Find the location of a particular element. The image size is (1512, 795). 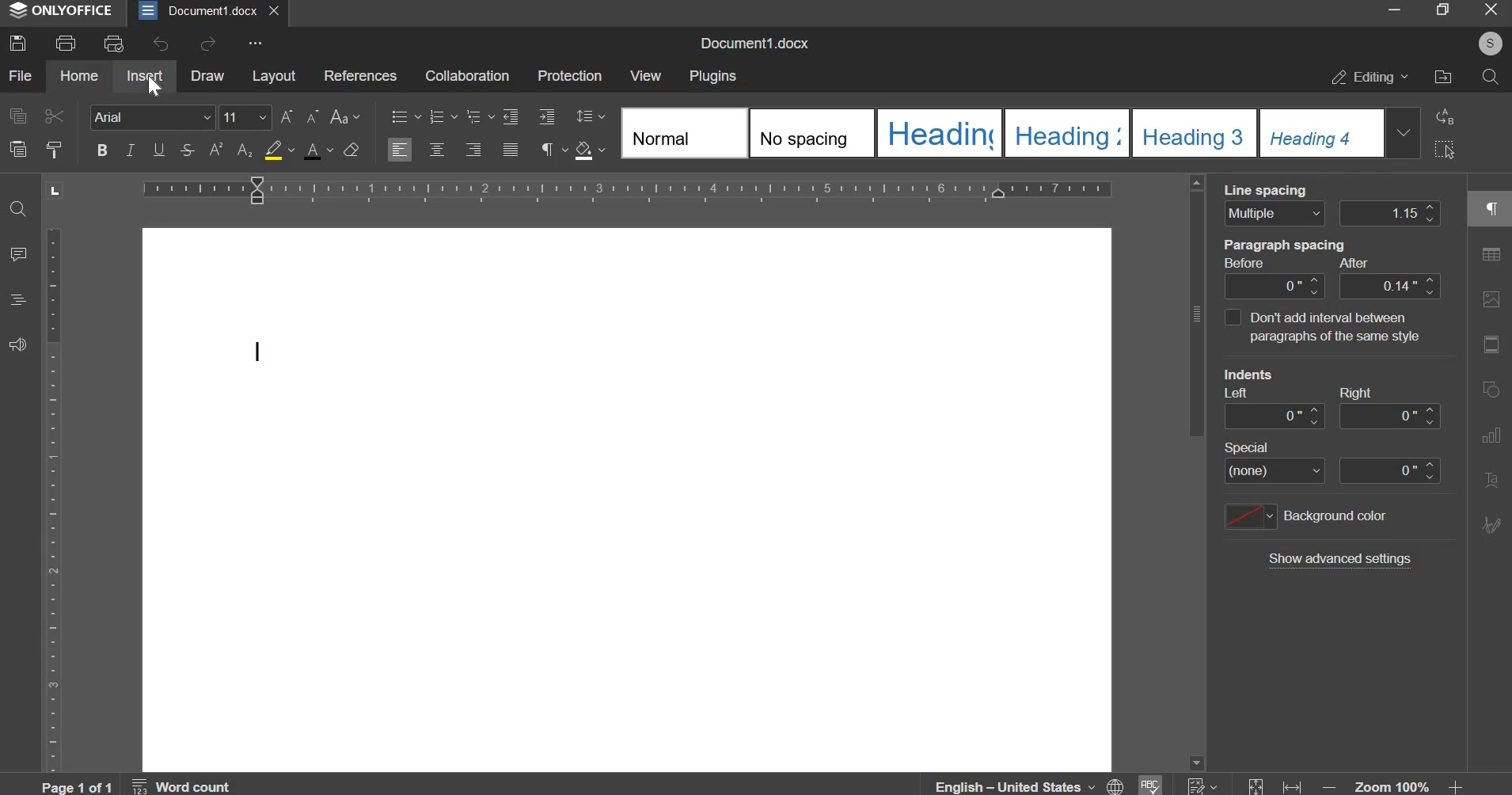

align left is located at coordinates (400, 150).